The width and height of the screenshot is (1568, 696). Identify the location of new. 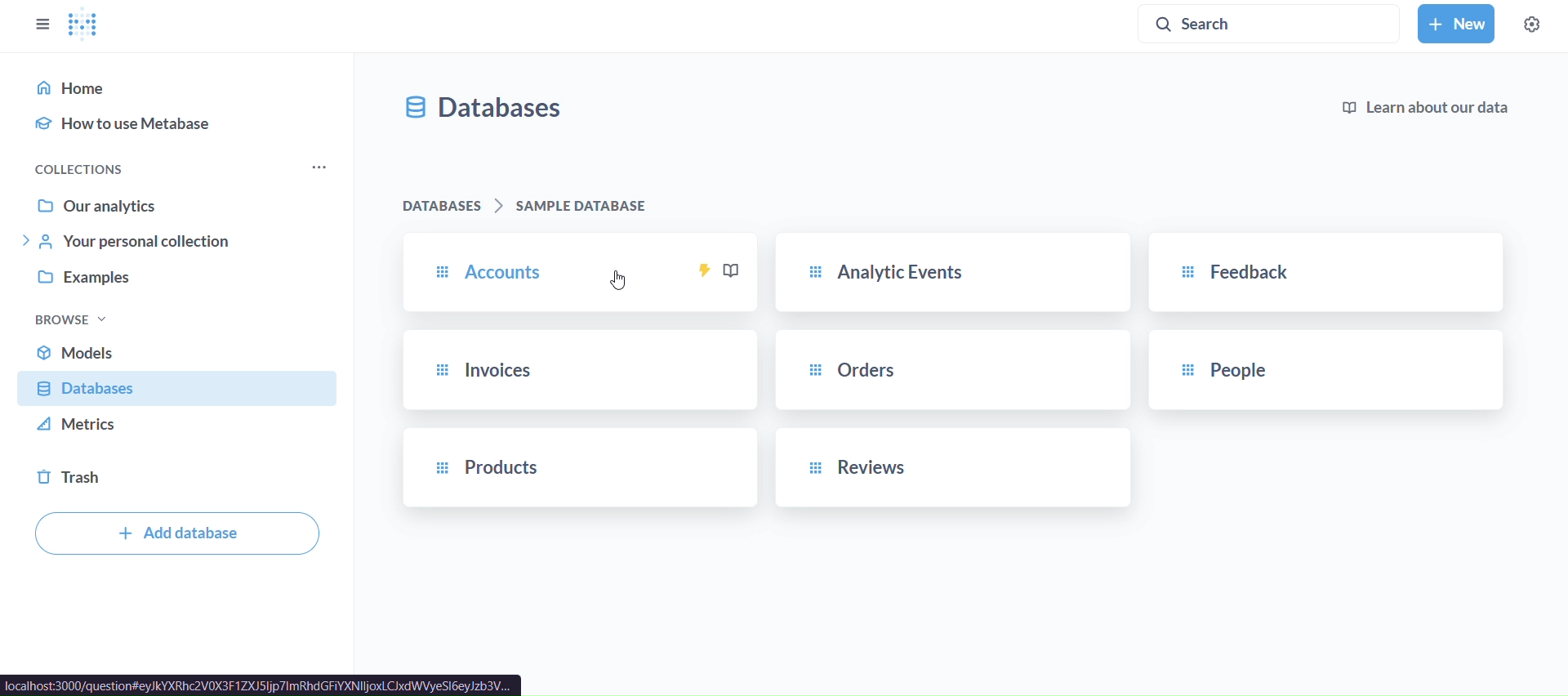
(1457, 24).